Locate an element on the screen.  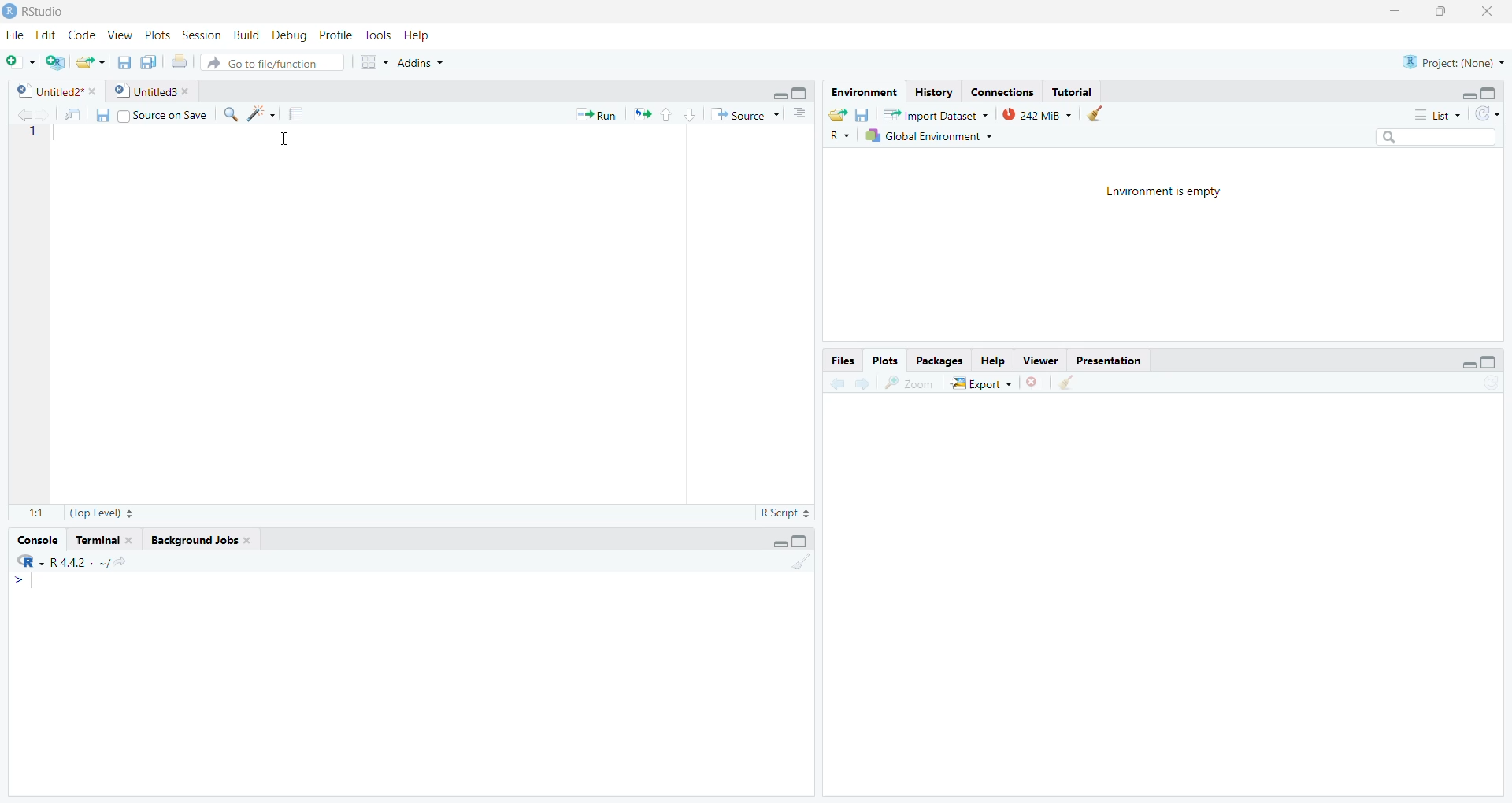
Global Environment  is located at coordinates (936, 135).